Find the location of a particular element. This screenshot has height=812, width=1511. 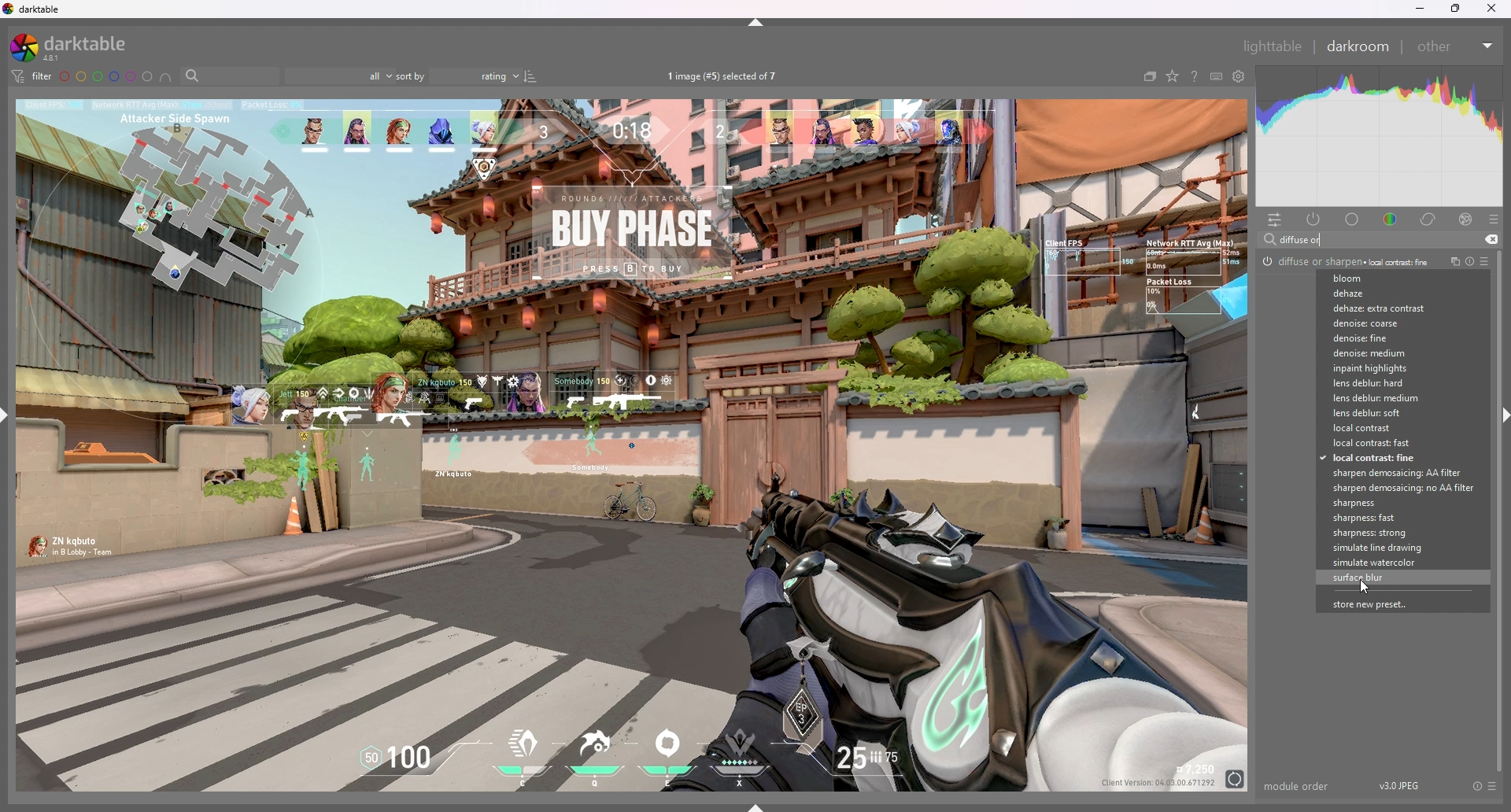

reset is located at coordinates (1476, 785).